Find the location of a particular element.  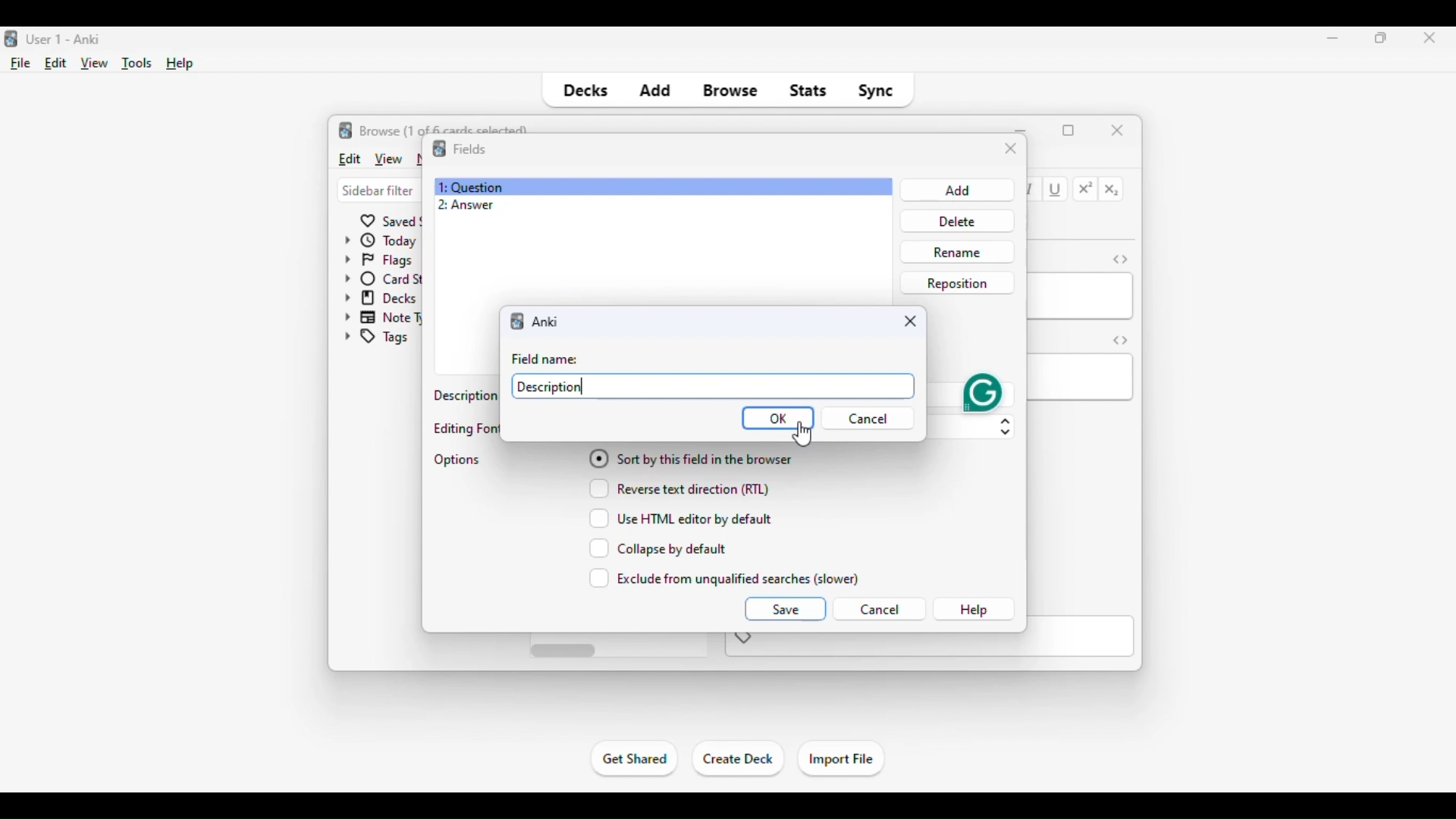

fields is located at coordinates (469, 148).